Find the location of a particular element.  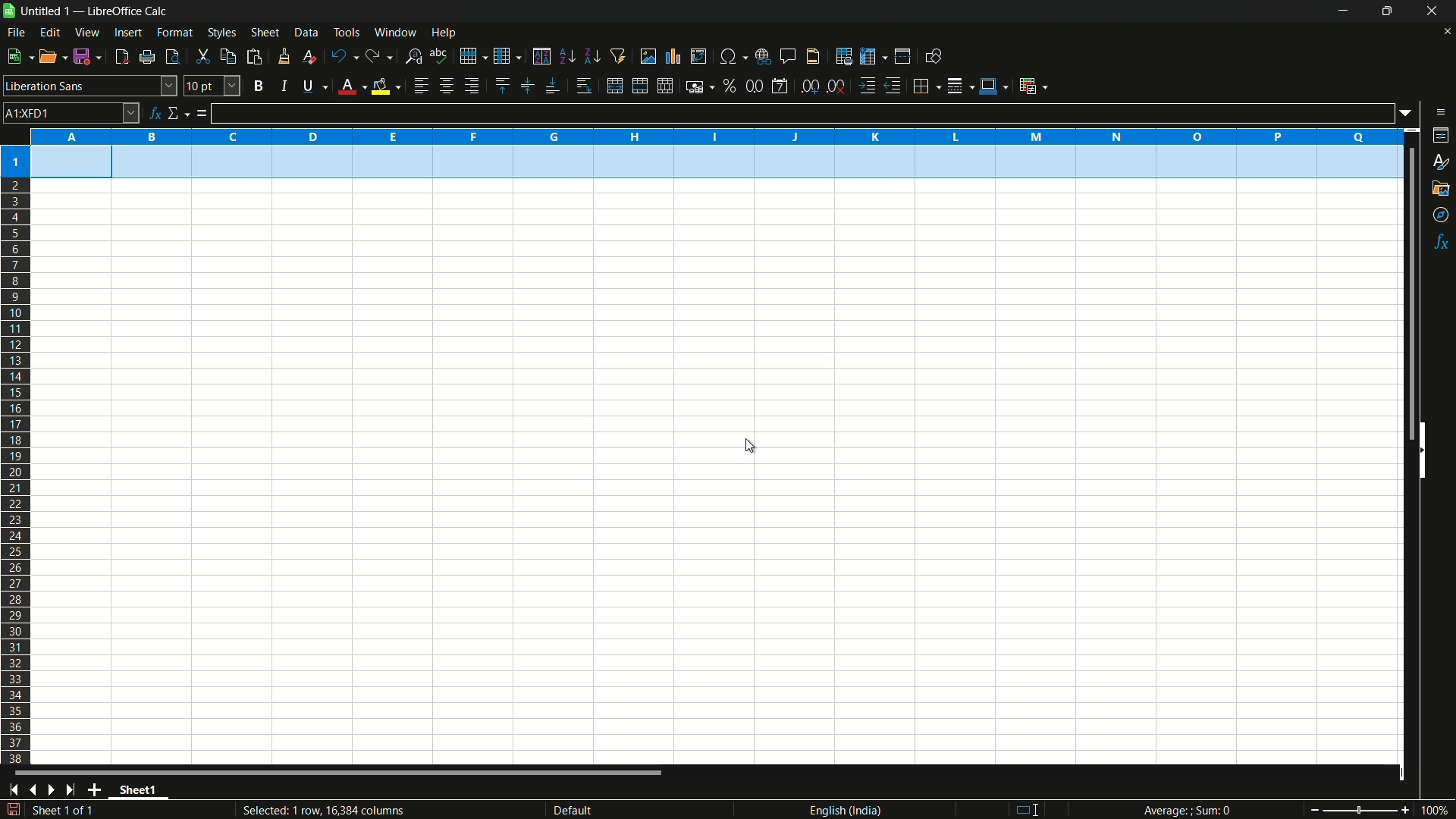

header and footer is located at coordinates (814, 57).